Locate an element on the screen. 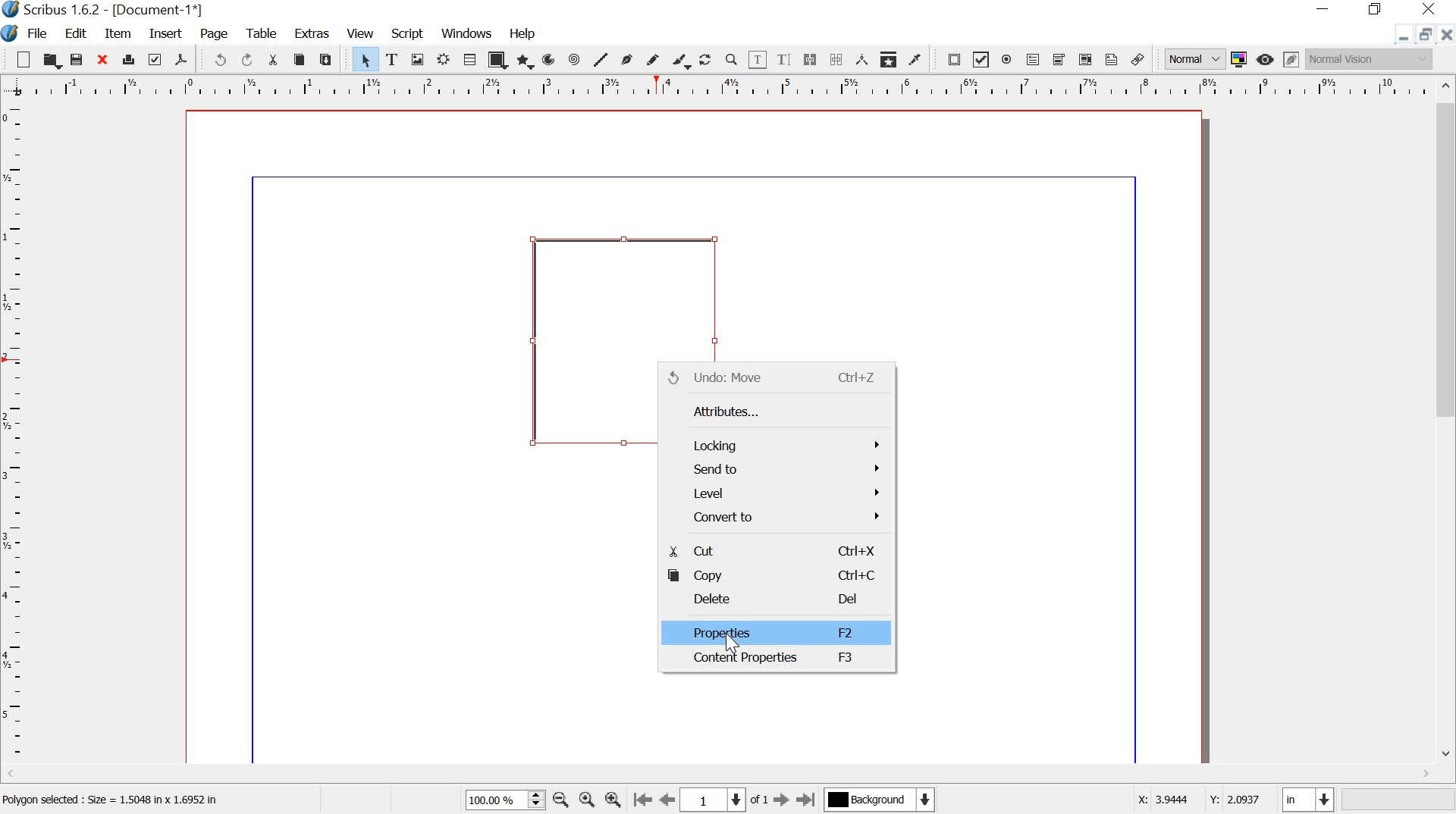 This screenshot has height=814, width=1456. help is located at coordinates (525, 35).